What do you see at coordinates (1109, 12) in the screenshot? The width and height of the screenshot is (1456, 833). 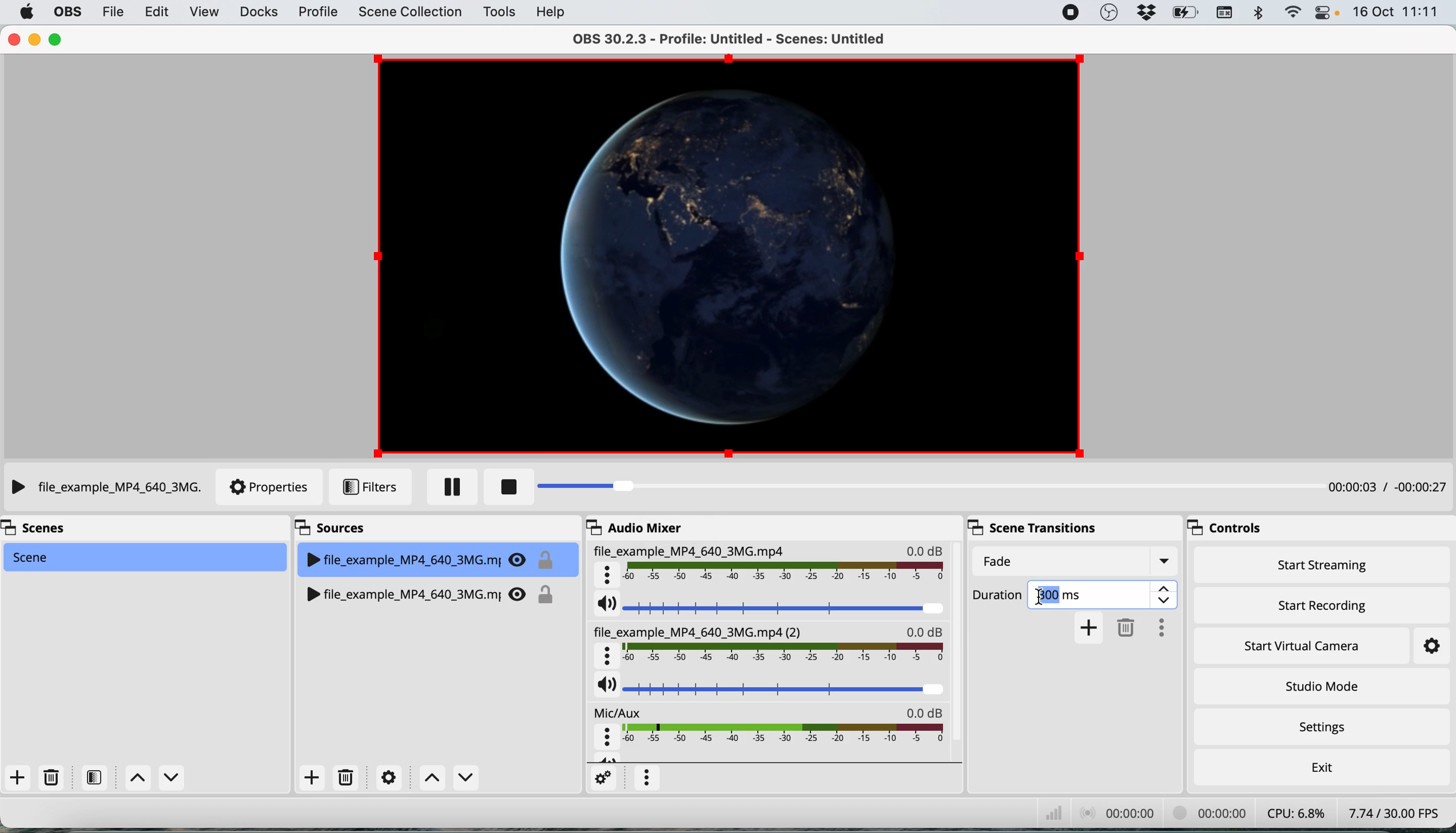 I see `obs studio` at bounding box center [1109, 12].